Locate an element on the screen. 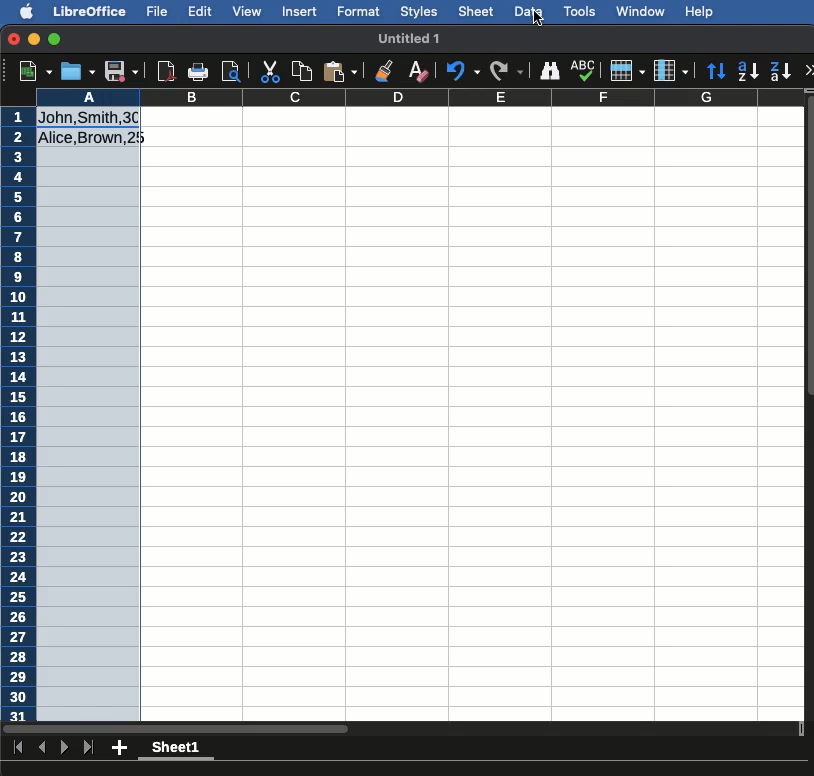 This screenshot has width=814, height=776. Columns is located at coordinates (671, 69).